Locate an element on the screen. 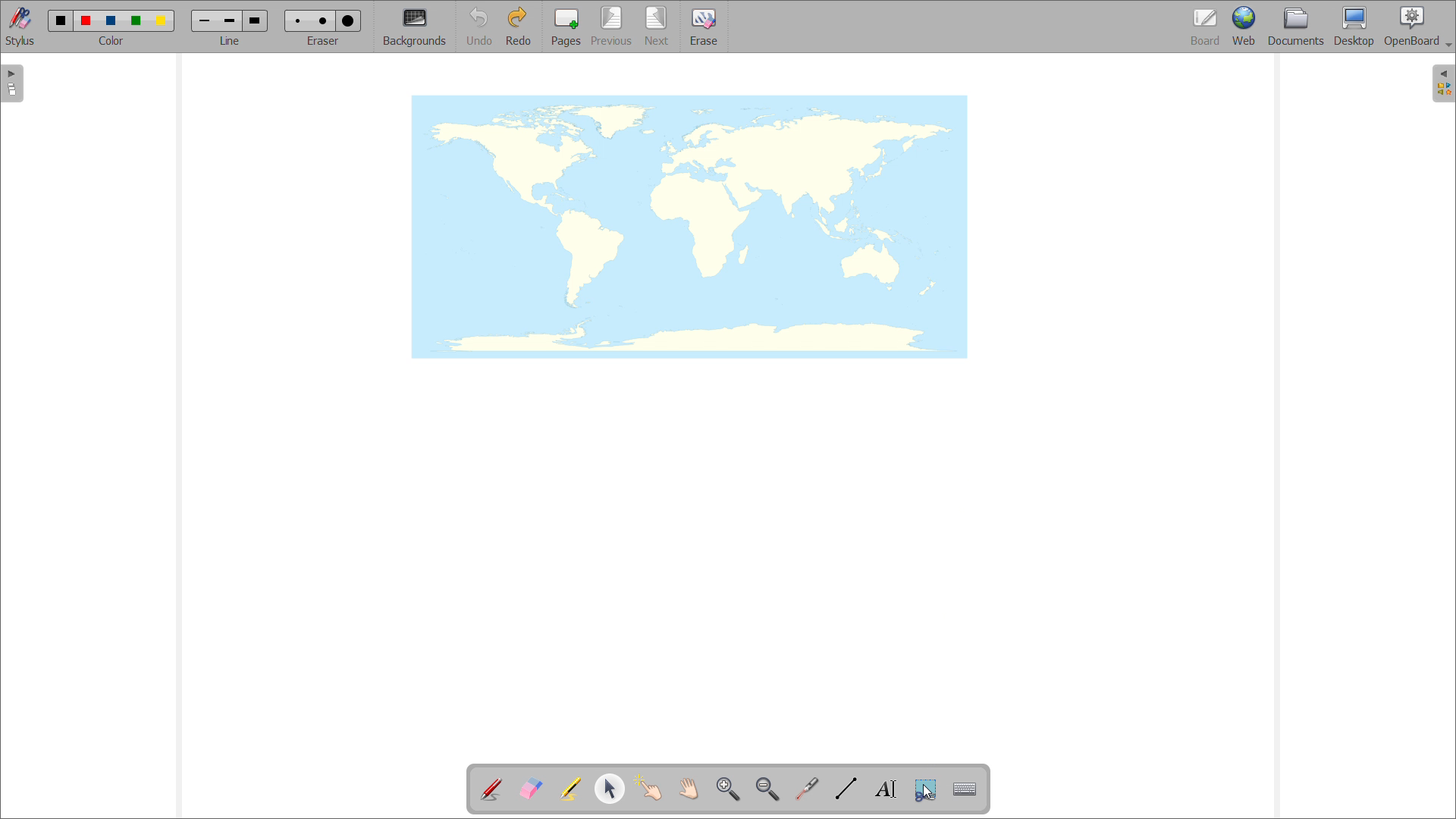 Image resolution: width=1456 pixels, height=819 pixels. Eraser is located at coordinates (325, 40).